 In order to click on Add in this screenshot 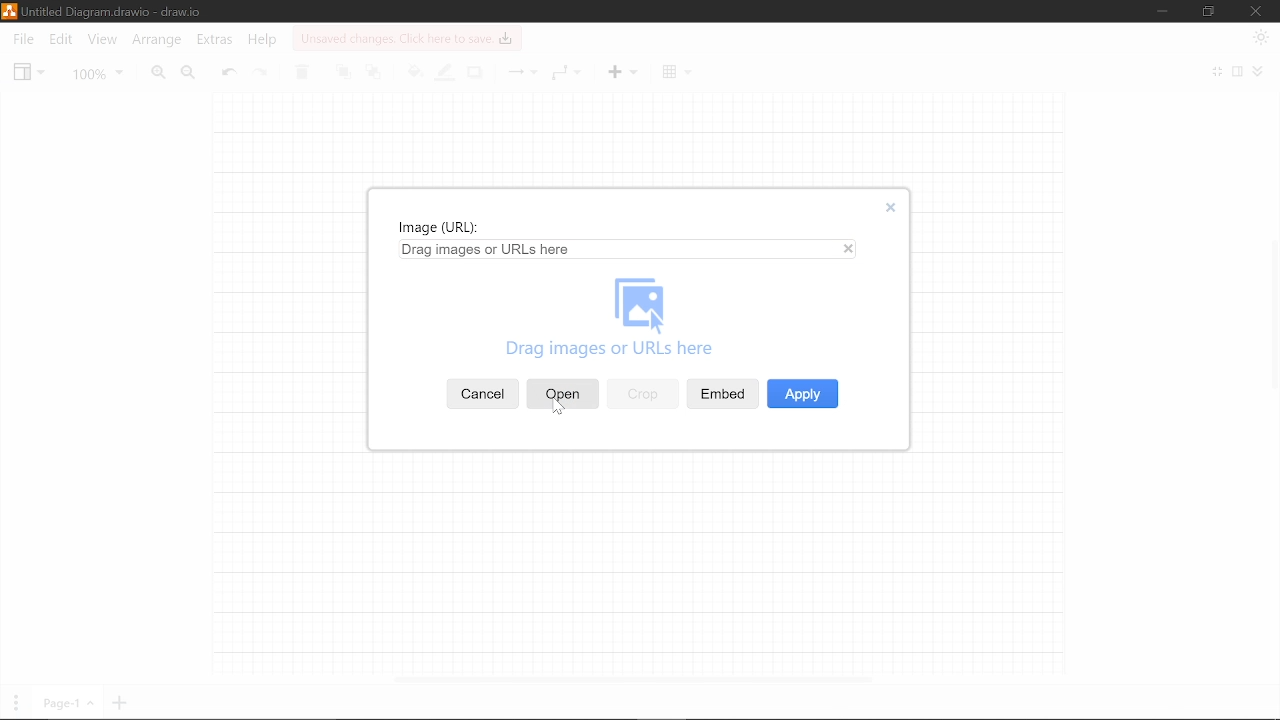, I will do `click(619, 71)`.